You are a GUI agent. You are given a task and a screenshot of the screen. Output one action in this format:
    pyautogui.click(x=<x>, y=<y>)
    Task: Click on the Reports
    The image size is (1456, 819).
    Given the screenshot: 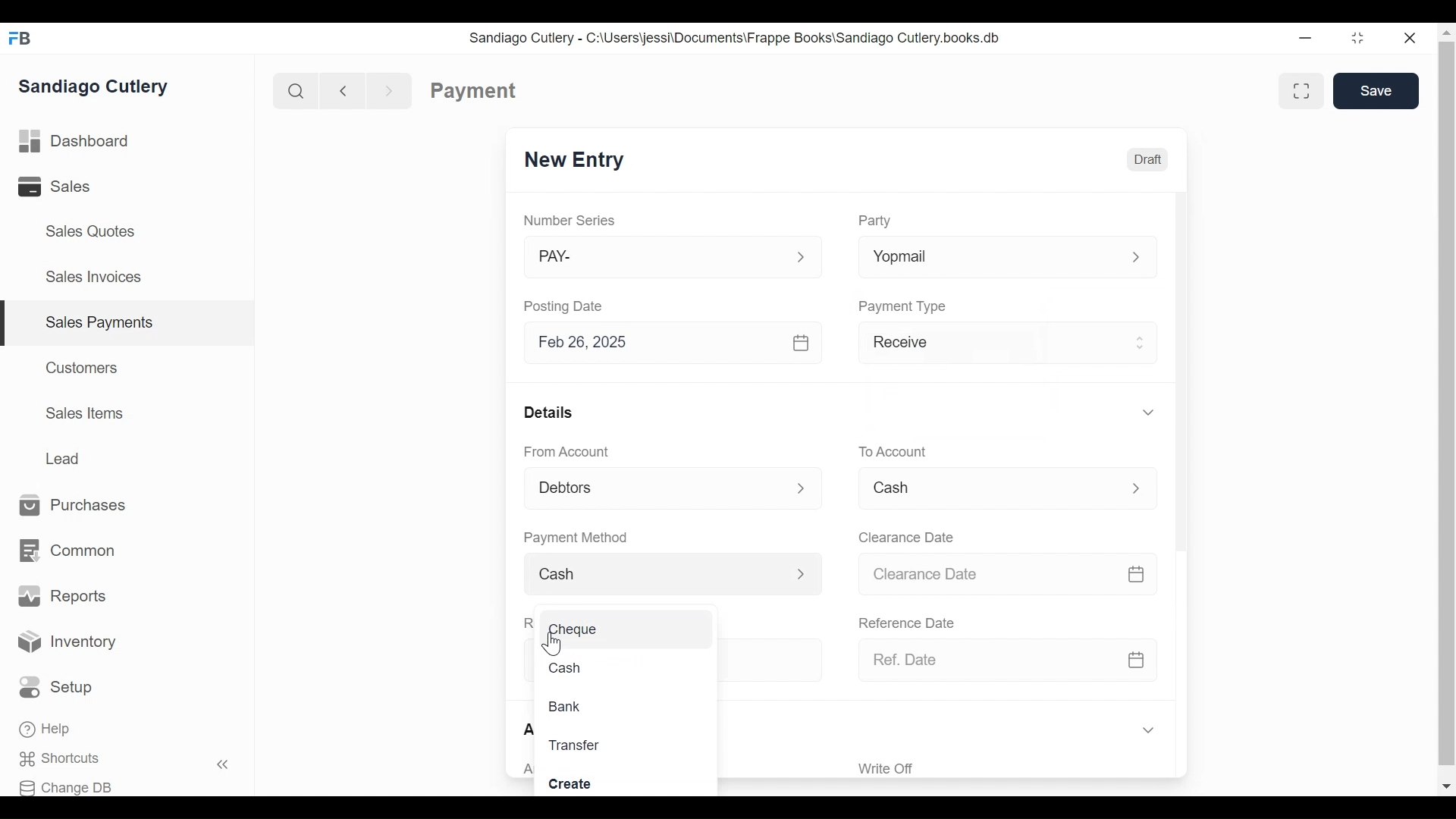 What is the action you would take?
    pyautogui.click(x=62, y=596)
    